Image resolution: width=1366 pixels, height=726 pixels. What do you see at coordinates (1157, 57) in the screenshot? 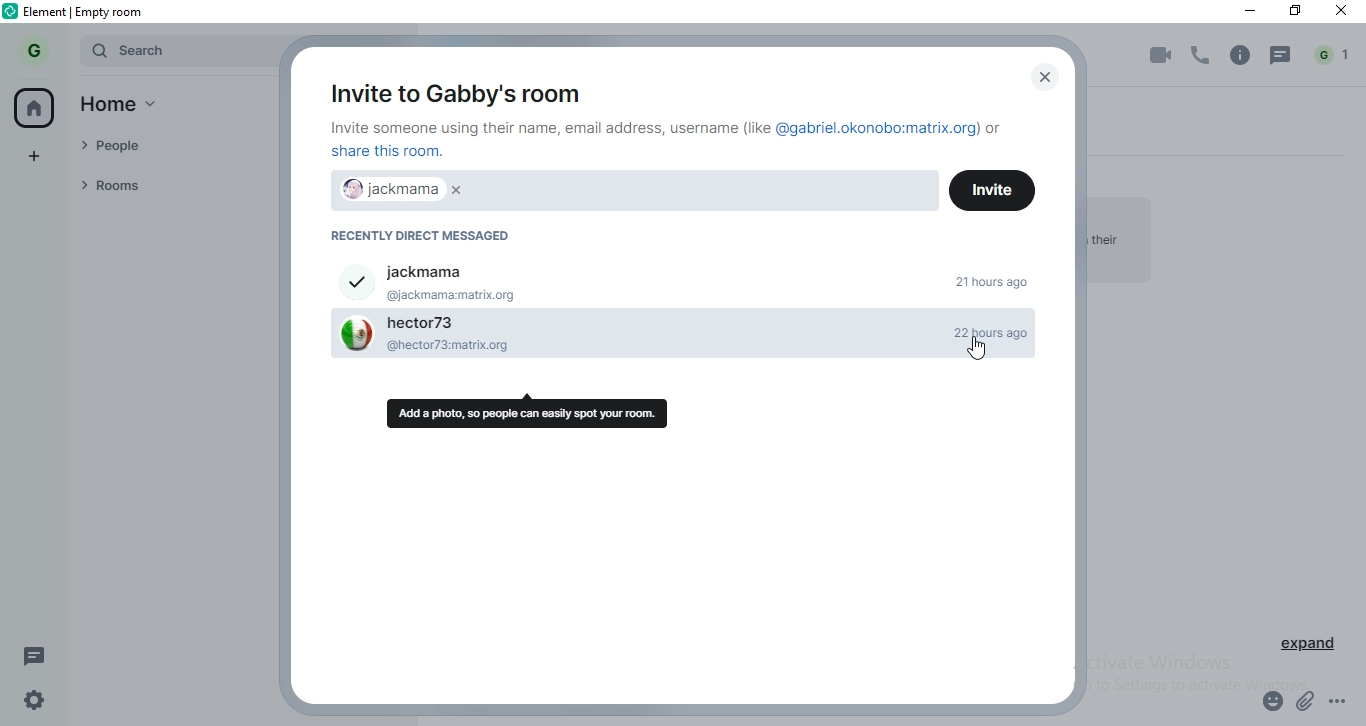
I see `video call` at bounding box center [1157, 57].